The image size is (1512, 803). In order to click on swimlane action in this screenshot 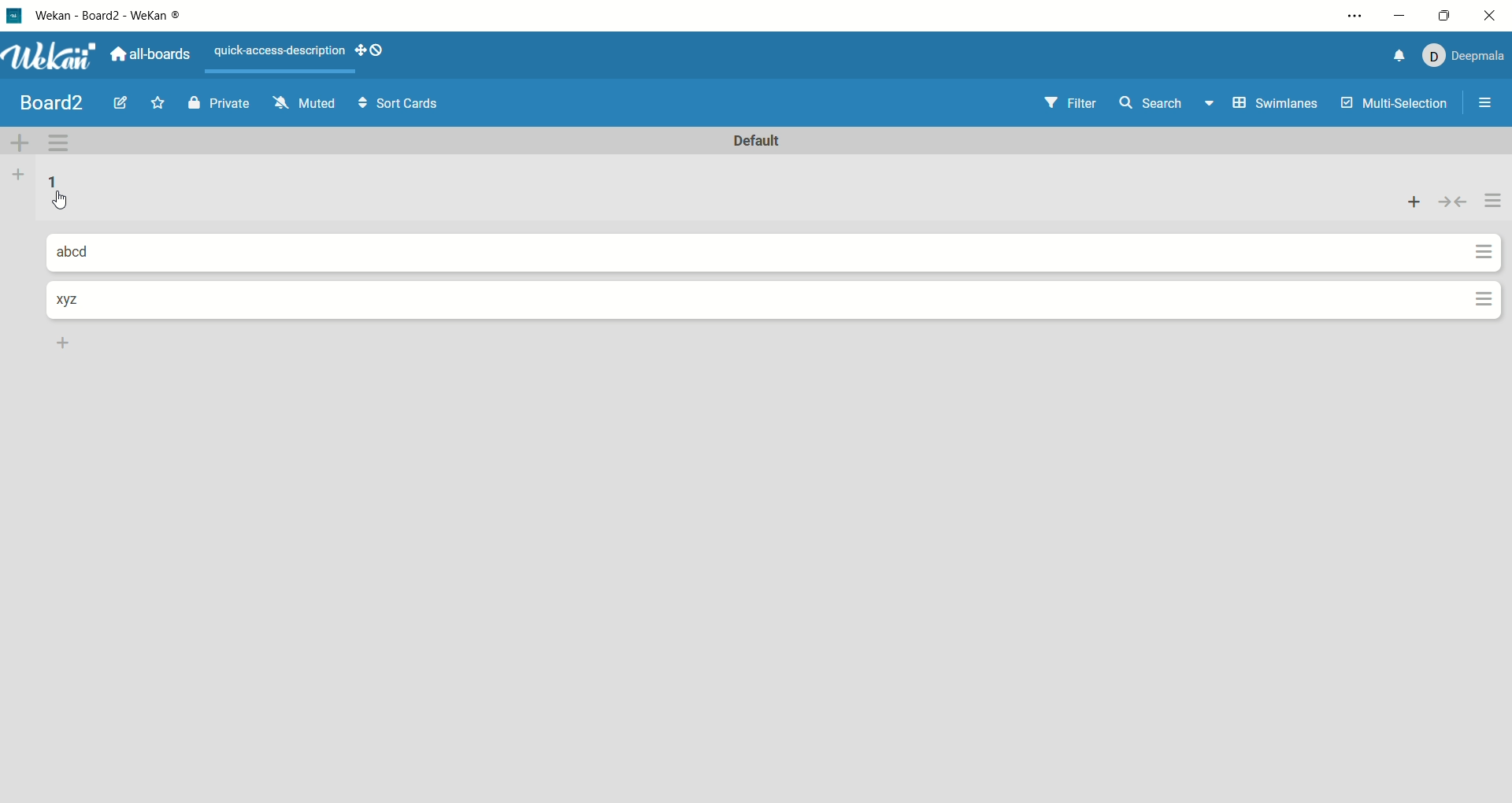, I will do `click(63, 142)`.